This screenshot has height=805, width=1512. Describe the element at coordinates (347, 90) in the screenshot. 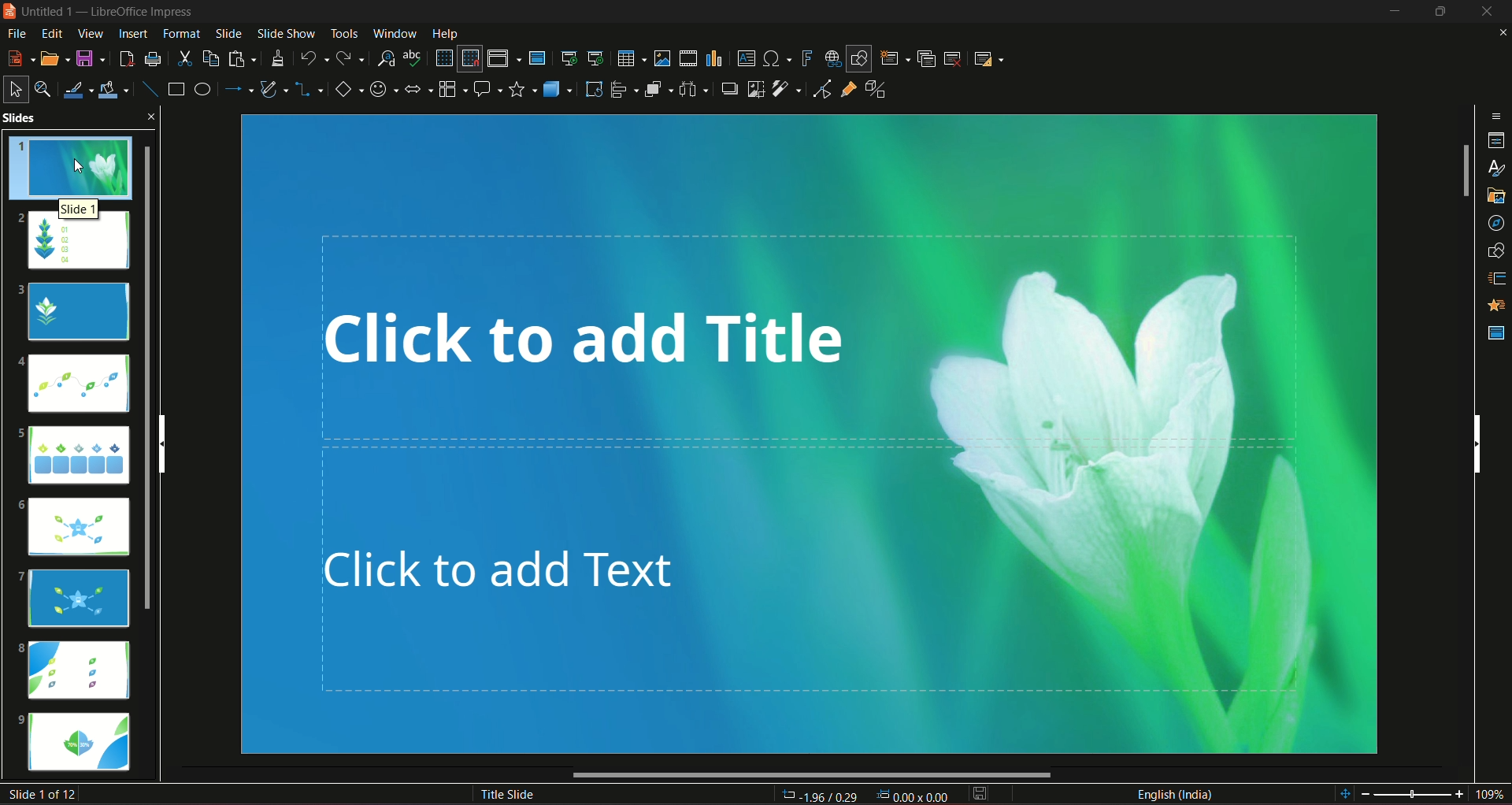

I see `basic shapes` at that location.